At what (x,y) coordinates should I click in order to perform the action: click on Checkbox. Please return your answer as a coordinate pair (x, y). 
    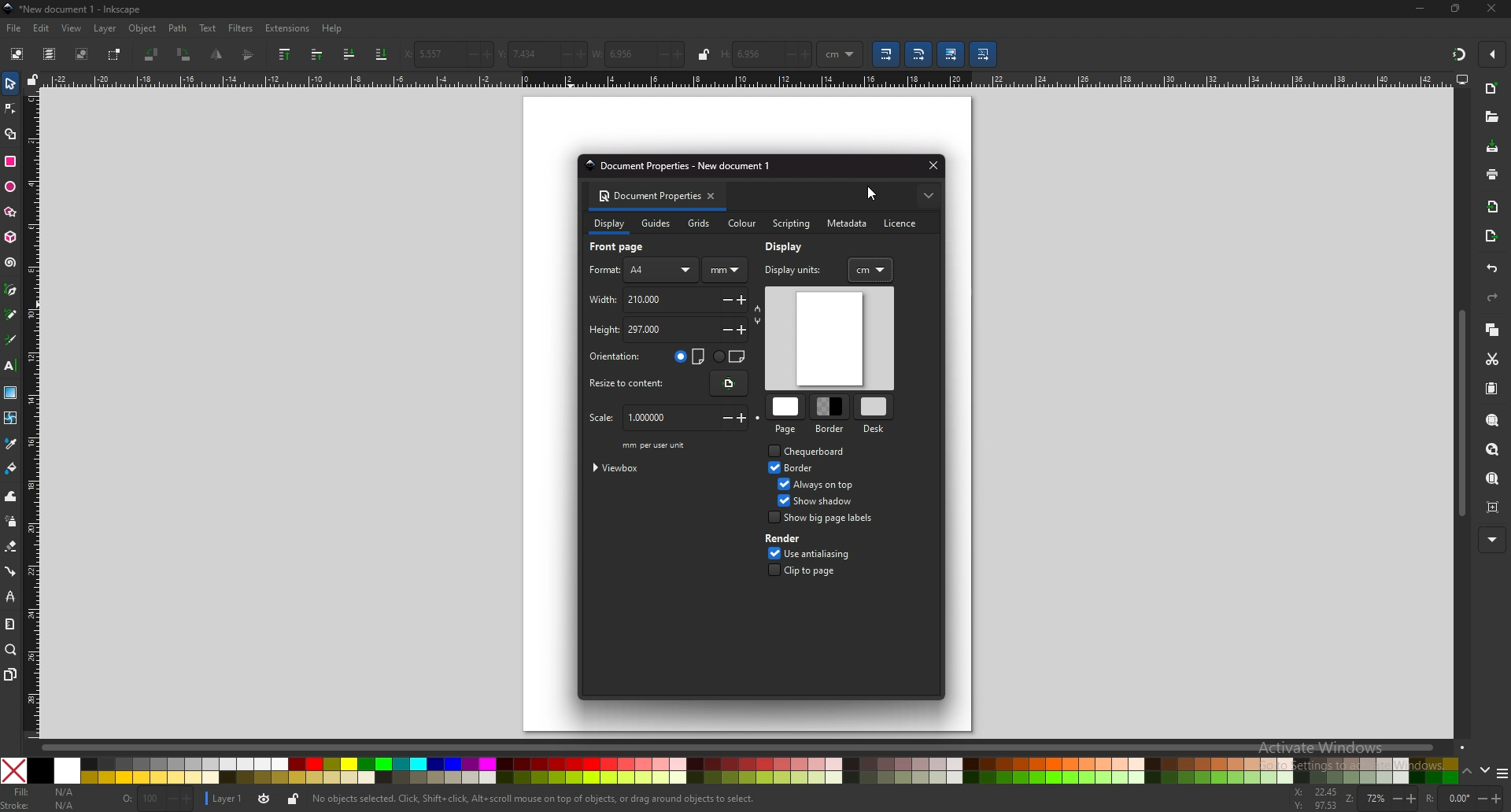
    Looking at the image, I should click on (770, 450).